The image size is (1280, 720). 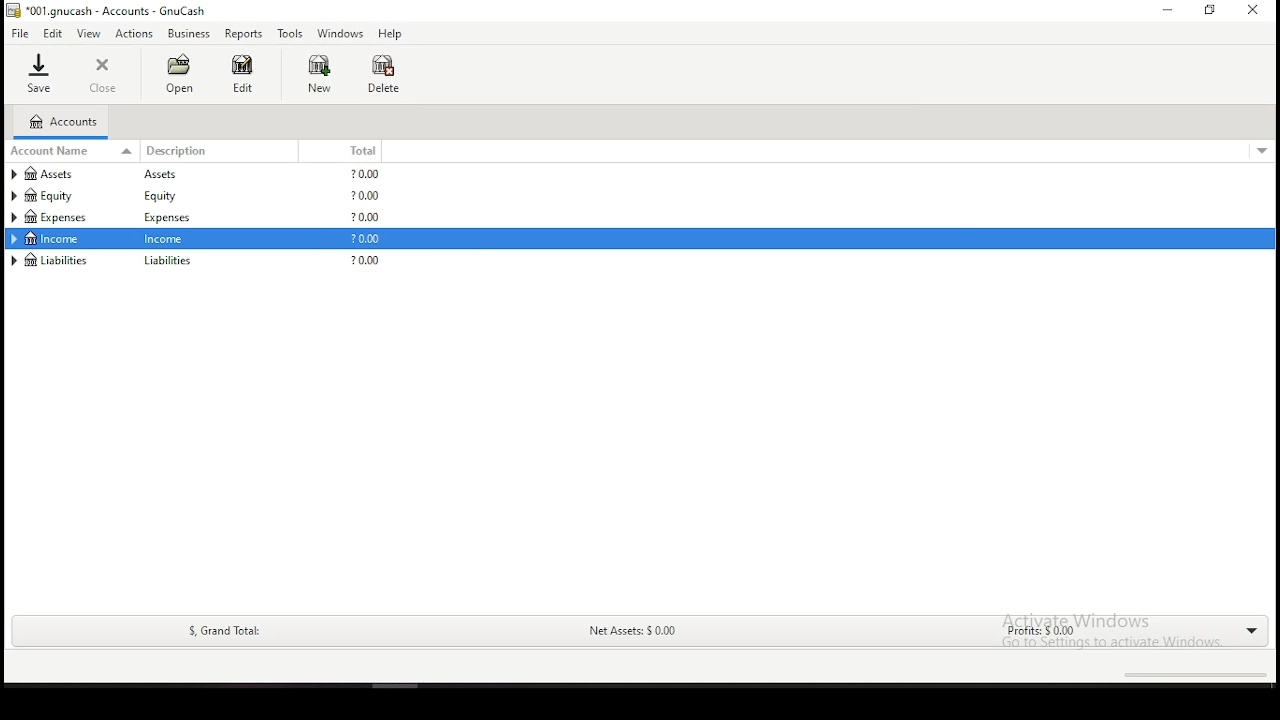 I want to click on ? 0.00, so click(x=362, y=262).